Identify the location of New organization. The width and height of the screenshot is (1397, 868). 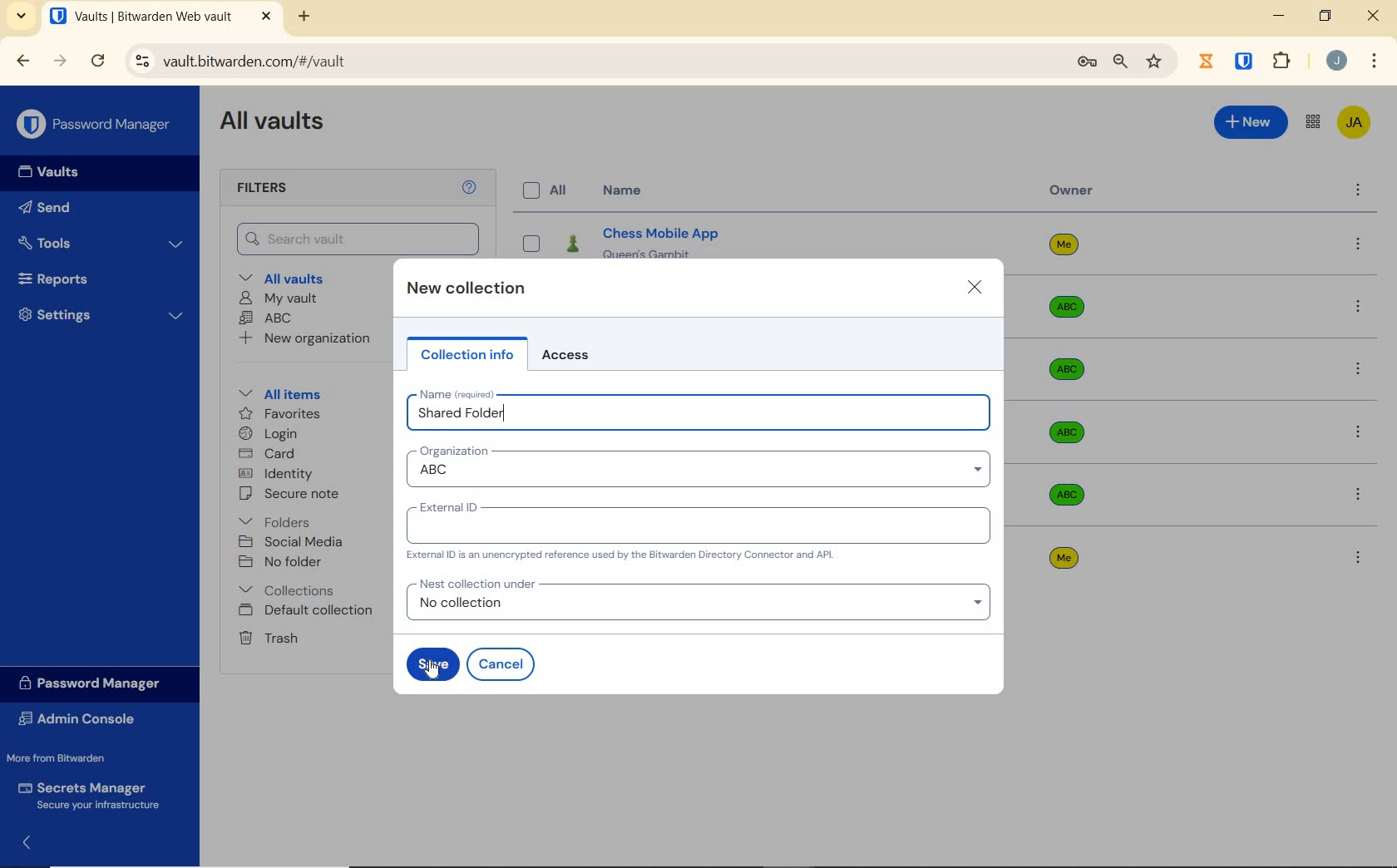
(313, 340).